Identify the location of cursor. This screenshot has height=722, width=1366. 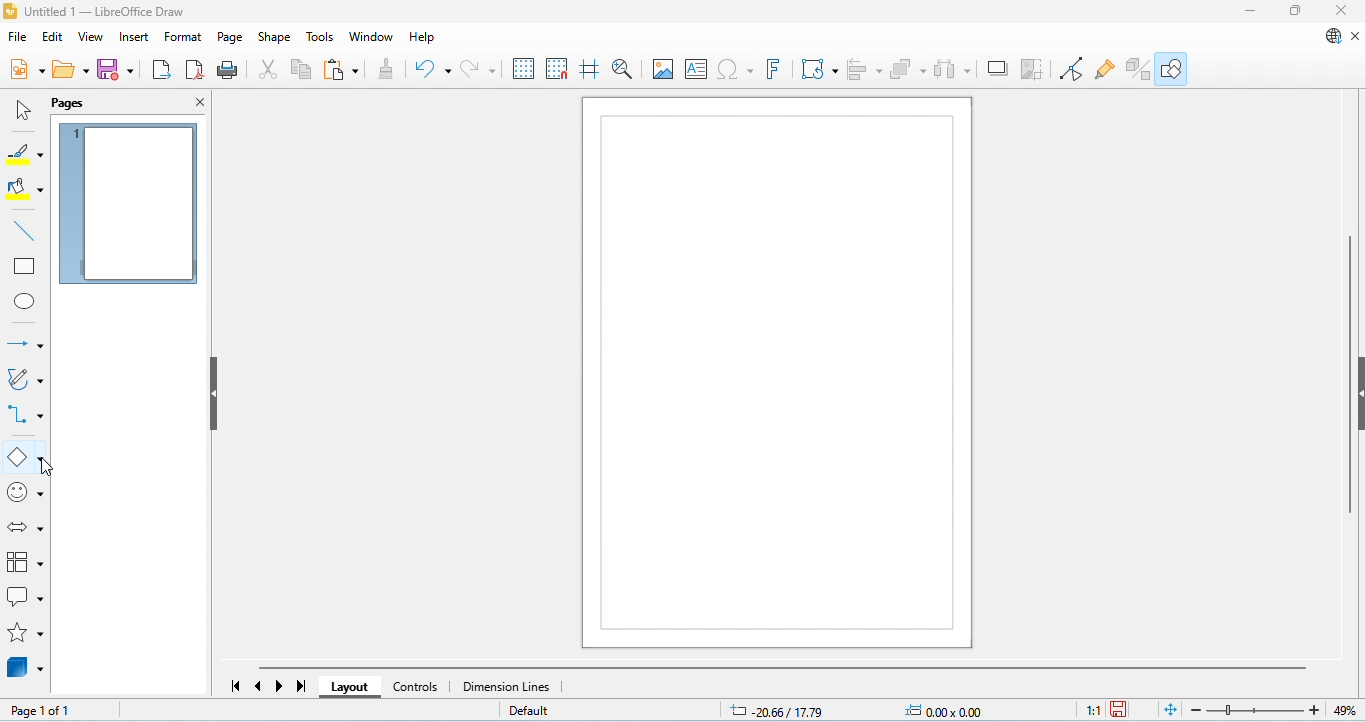
(48, 469).